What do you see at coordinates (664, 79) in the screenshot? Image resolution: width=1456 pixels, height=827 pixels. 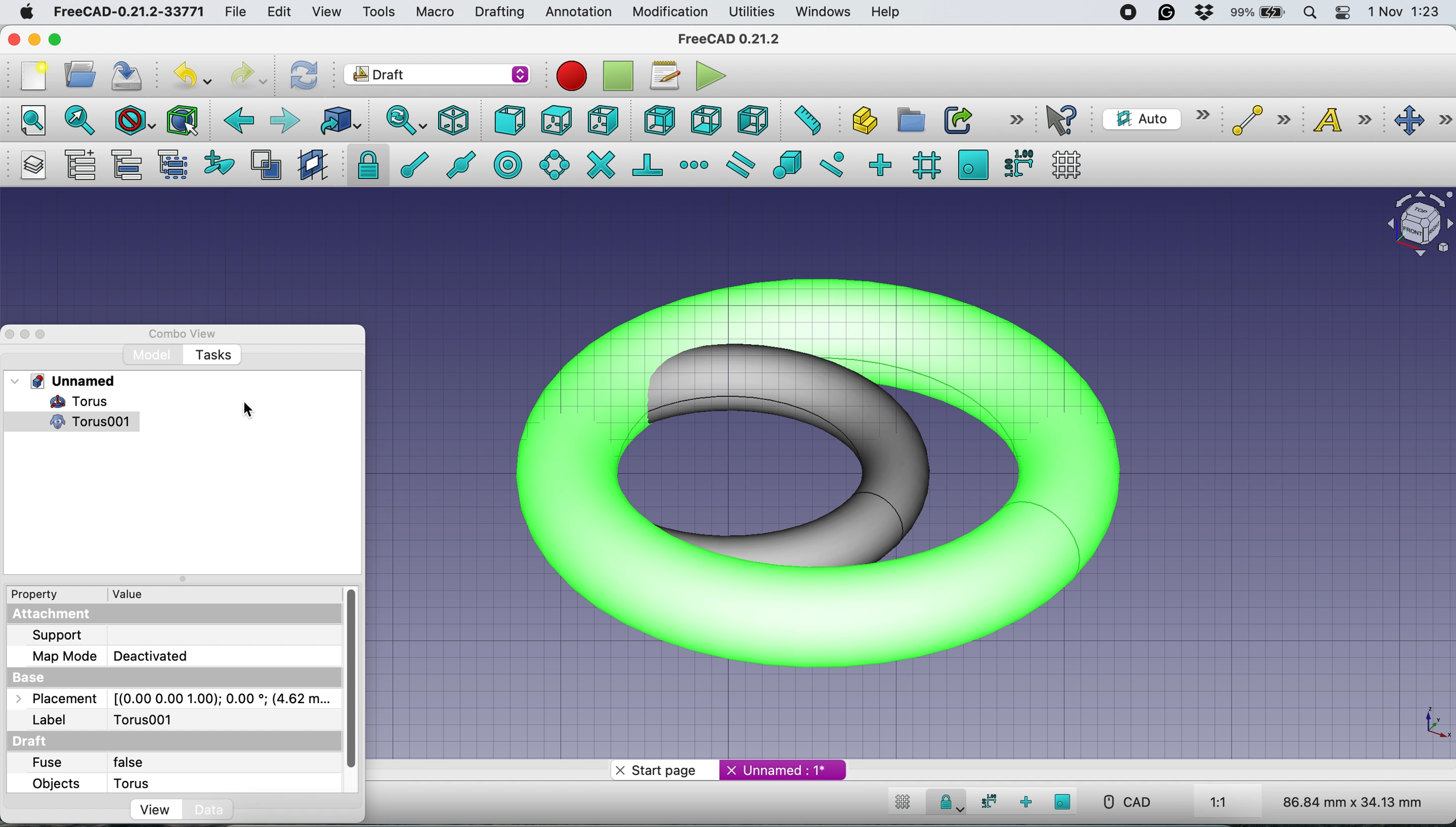 I see `macros` at bounding box center [664, 79].